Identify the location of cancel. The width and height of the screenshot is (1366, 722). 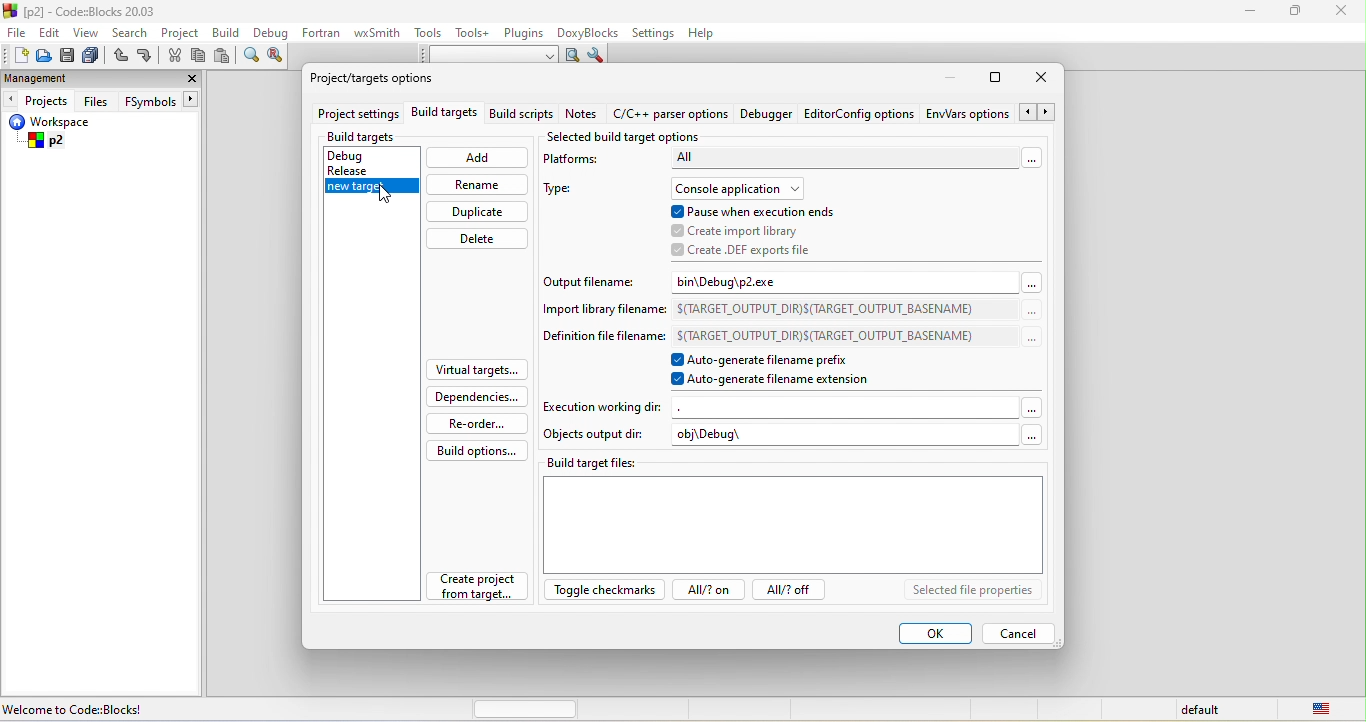
(1020, 633).